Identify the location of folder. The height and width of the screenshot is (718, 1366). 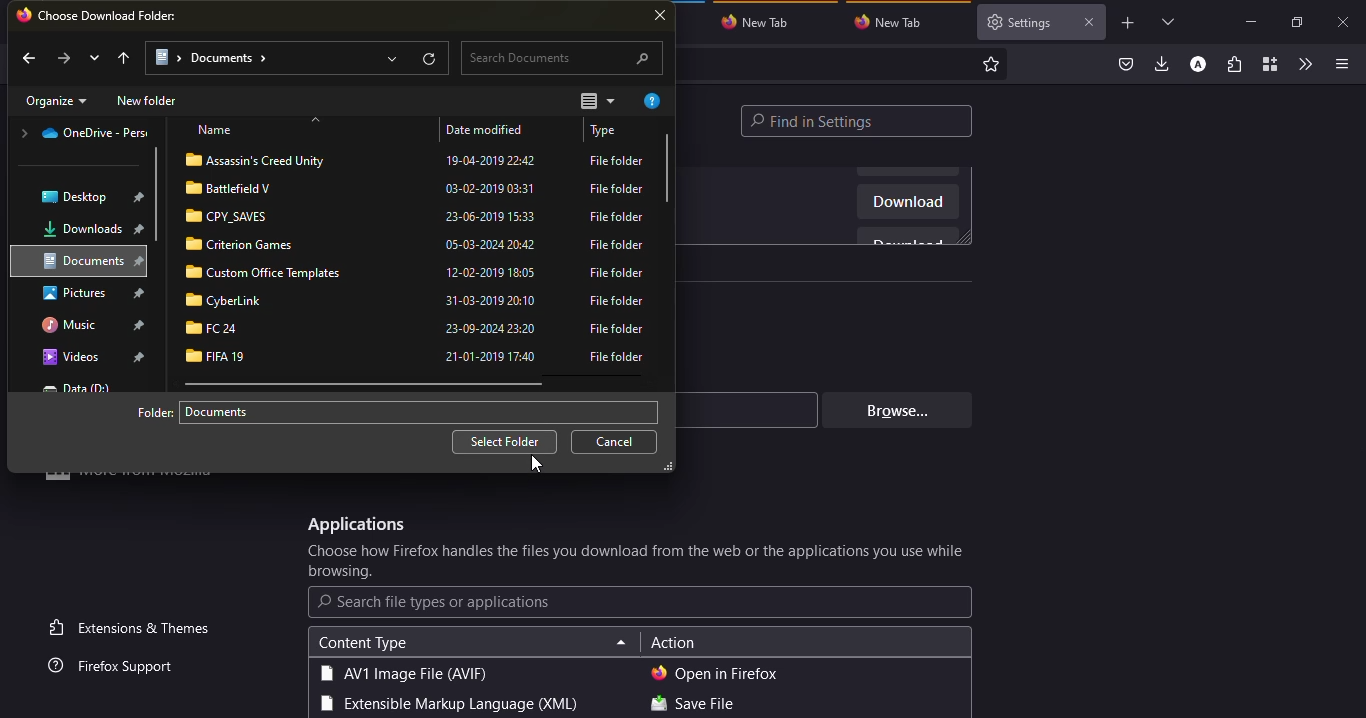
(232, 188).